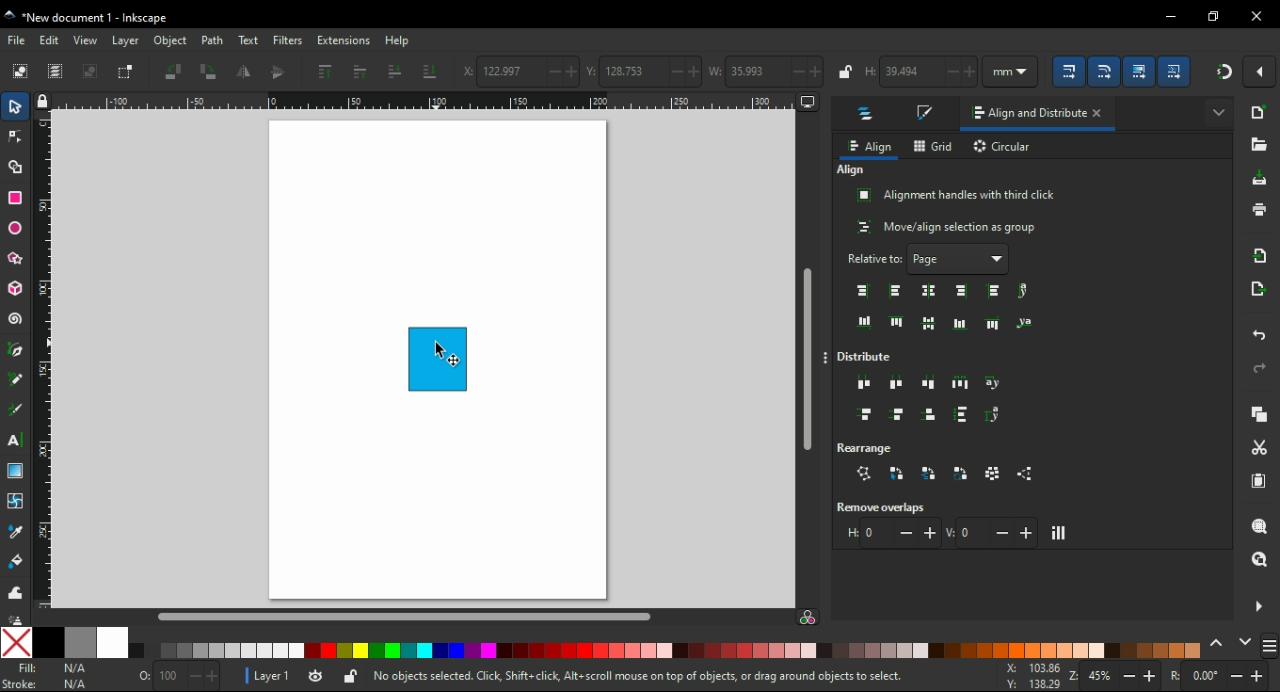 This screenshot has width=1280, height=692. Describe the element at coordinates (944, 226) in the screenshot. I see `move/align selection as a group` at that location.